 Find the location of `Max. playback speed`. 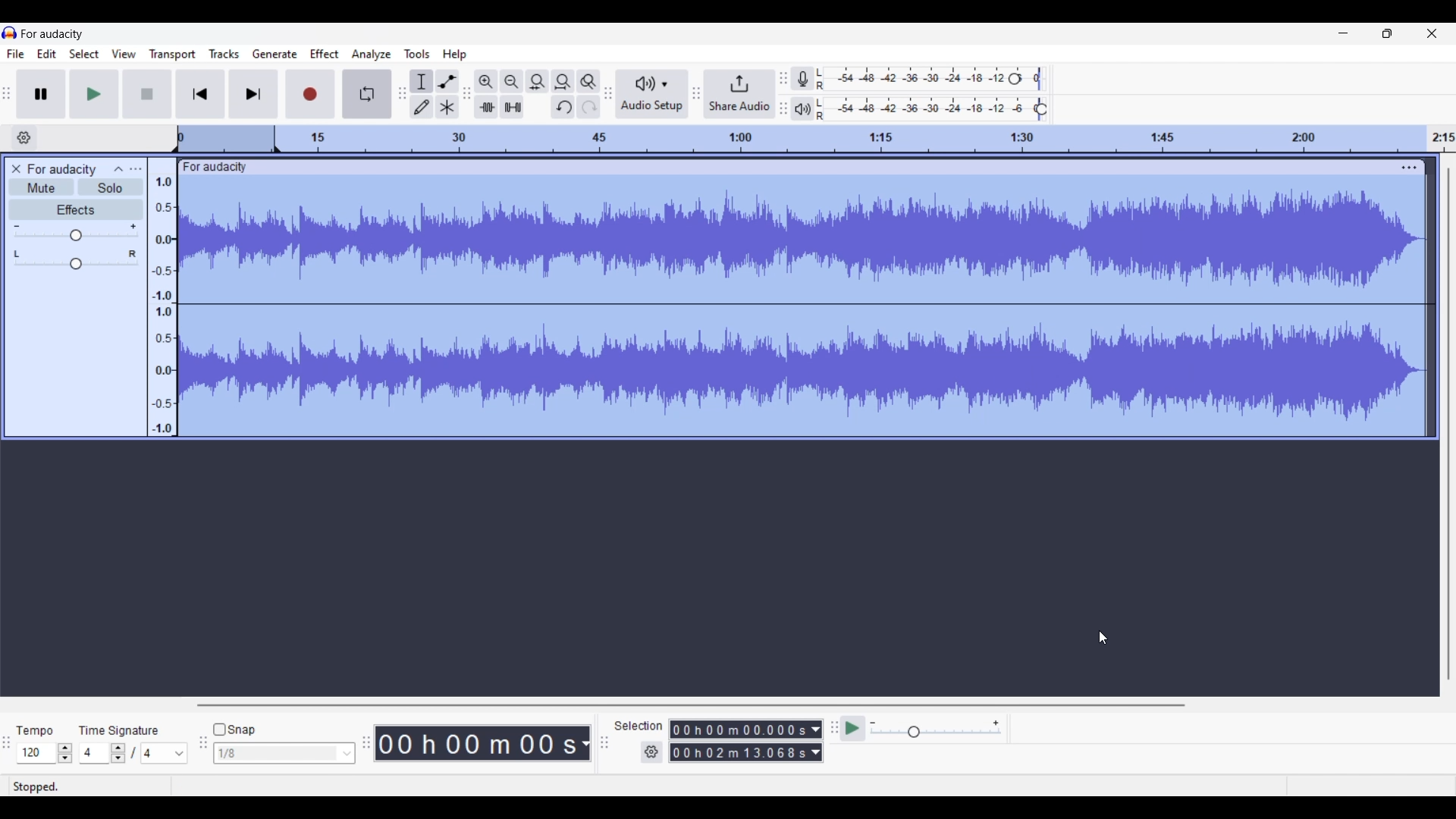

Max. playback speed is located at coordinates (996, 723).